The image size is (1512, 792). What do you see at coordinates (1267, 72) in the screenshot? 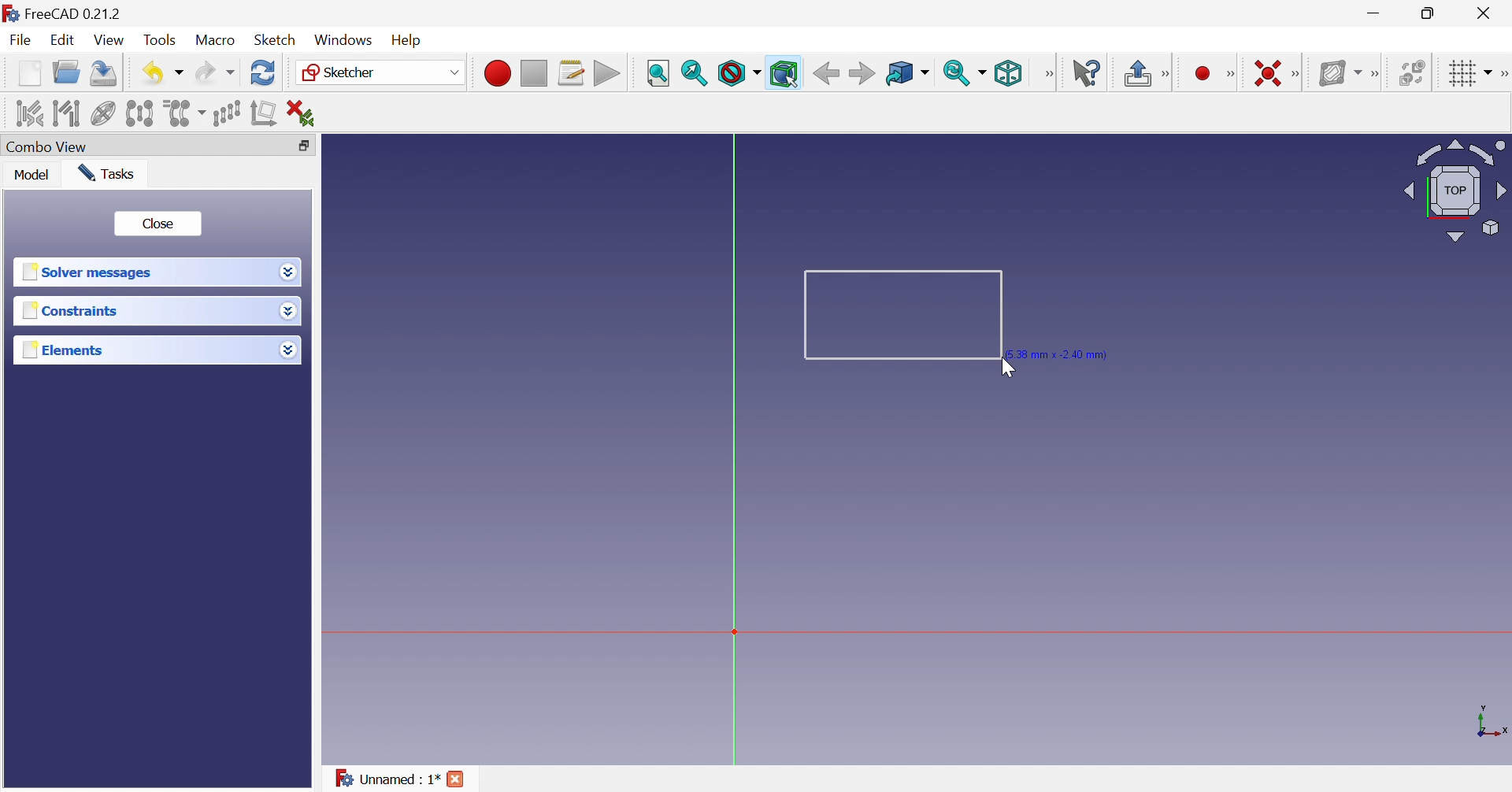
I see `Constrain coincident` at bounding box center [1267, 72].